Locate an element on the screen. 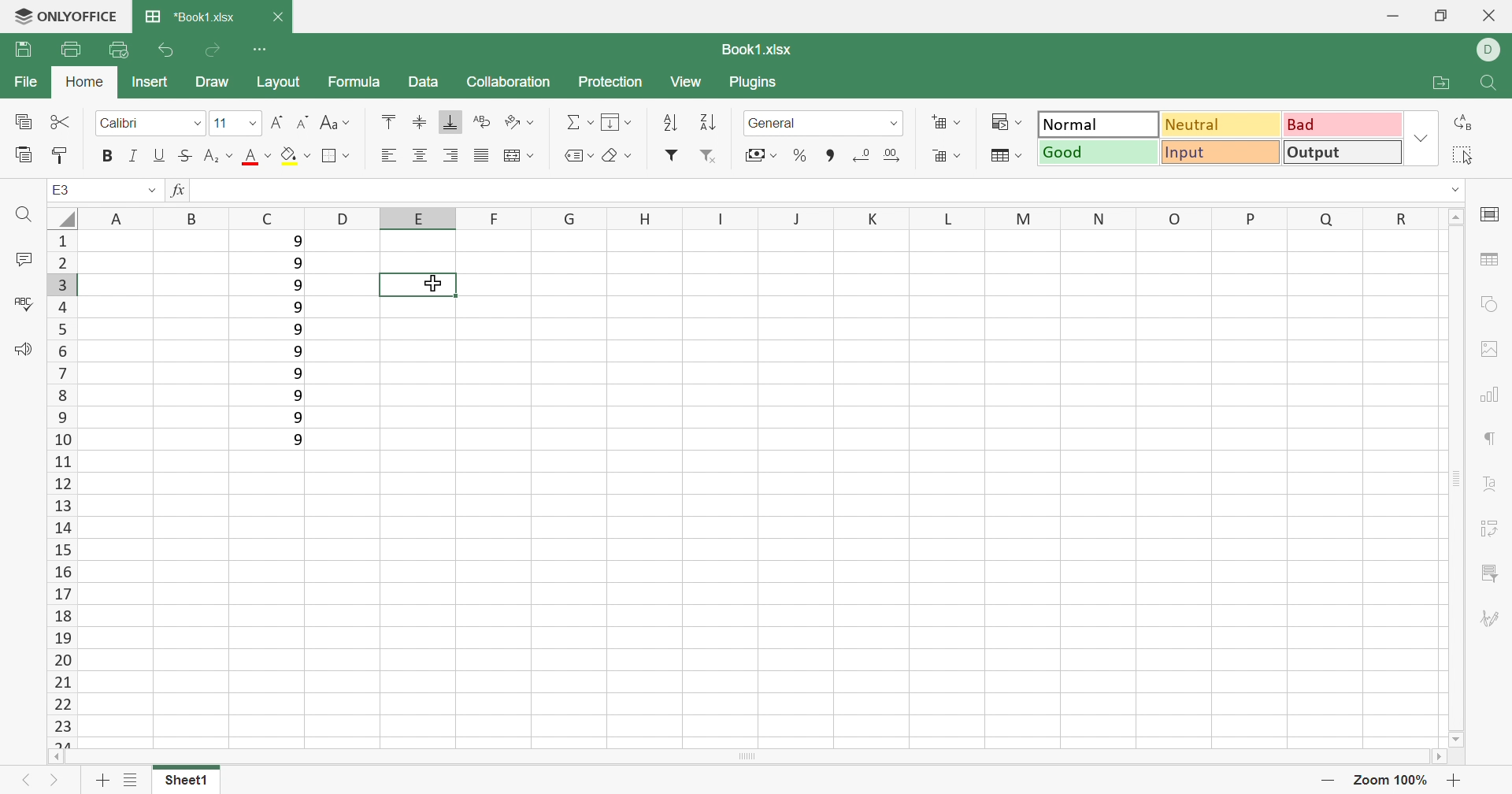 The width and height of the screenshot is (1512, 794). Drop Down is located at coordinates (196, 122).